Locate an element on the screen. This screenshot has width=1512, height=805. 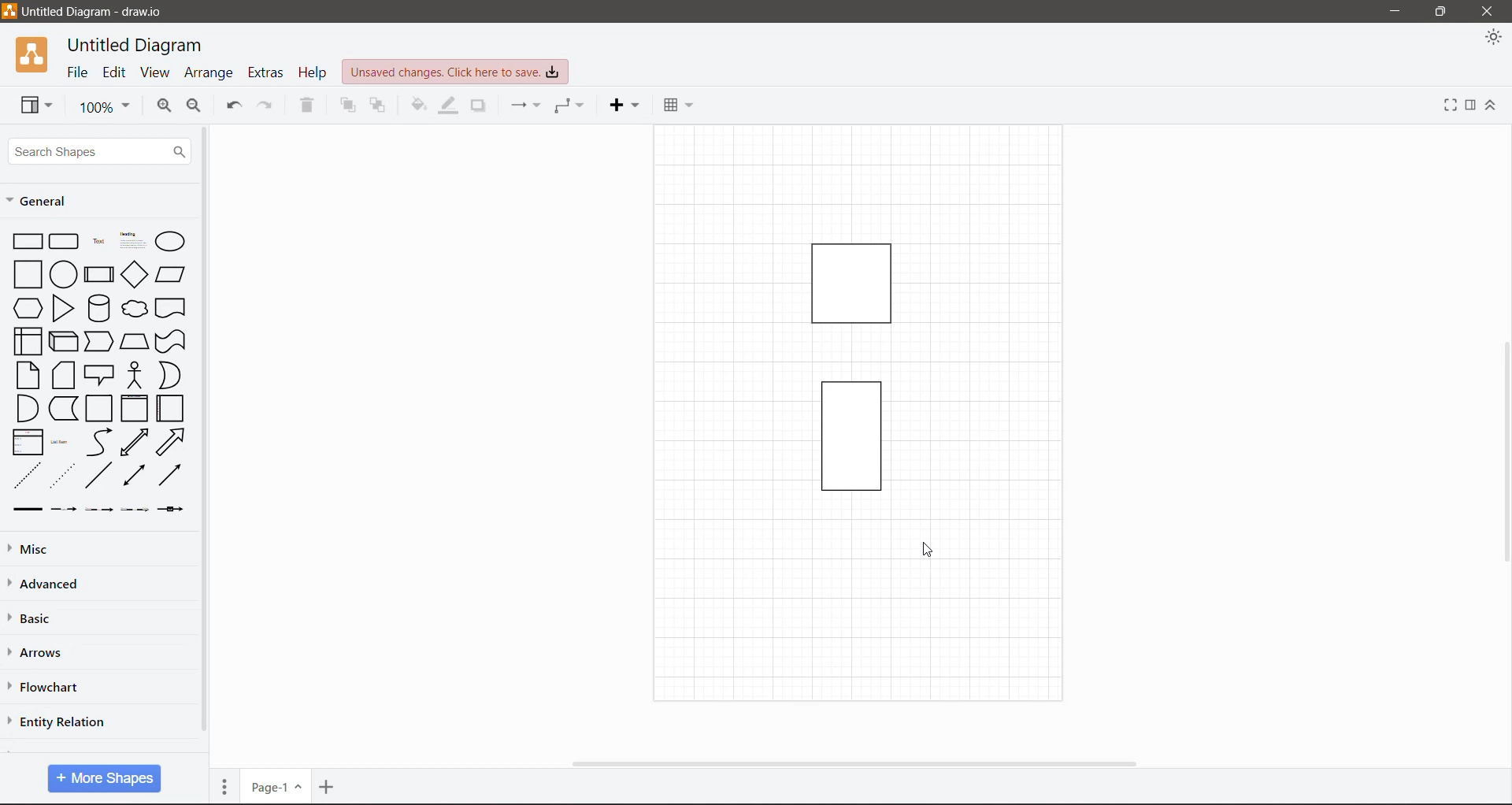
Vertical Scroll Bar is located at coordinates (1503, 453).